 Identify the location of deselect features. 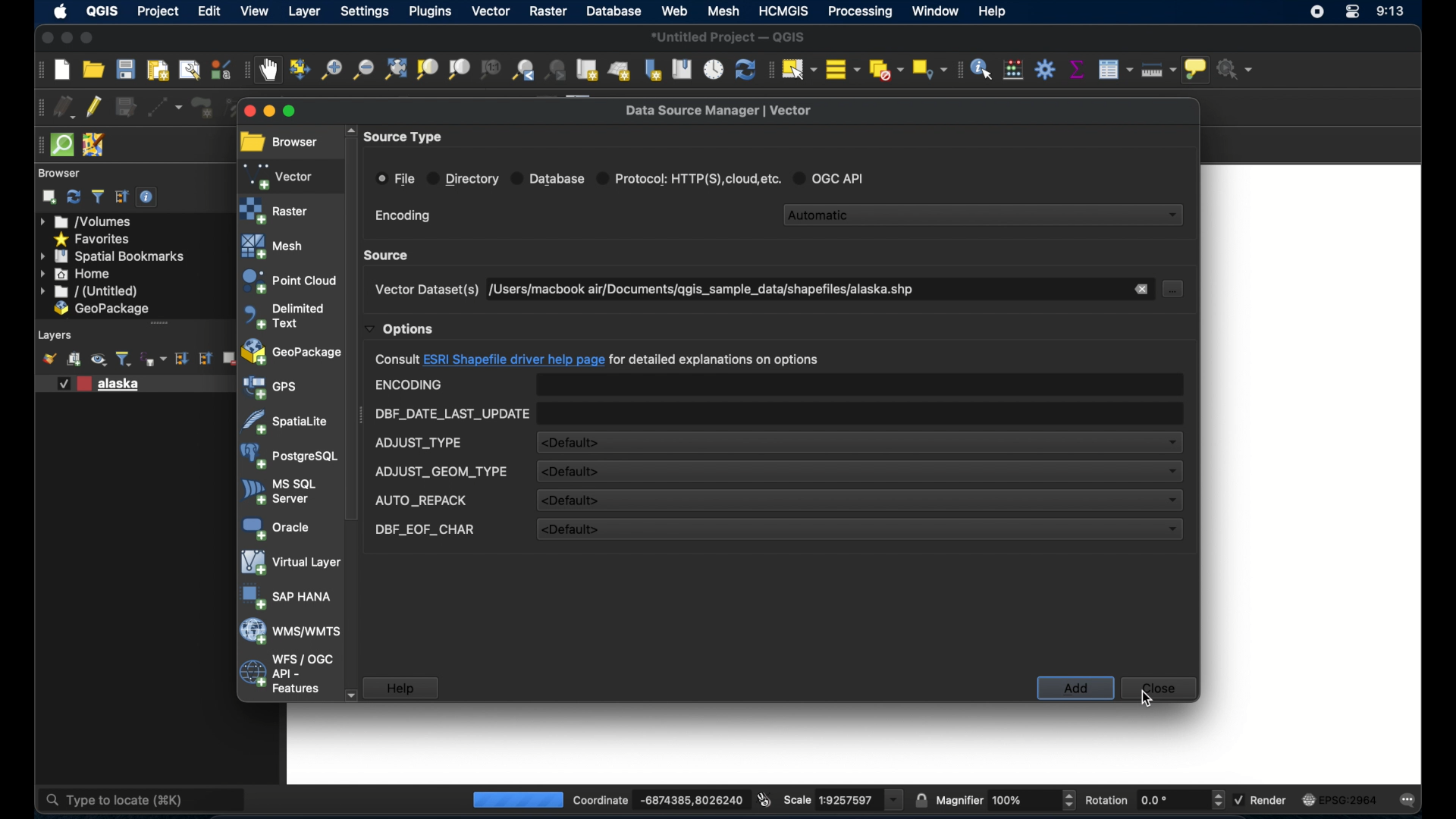
(886, 67).